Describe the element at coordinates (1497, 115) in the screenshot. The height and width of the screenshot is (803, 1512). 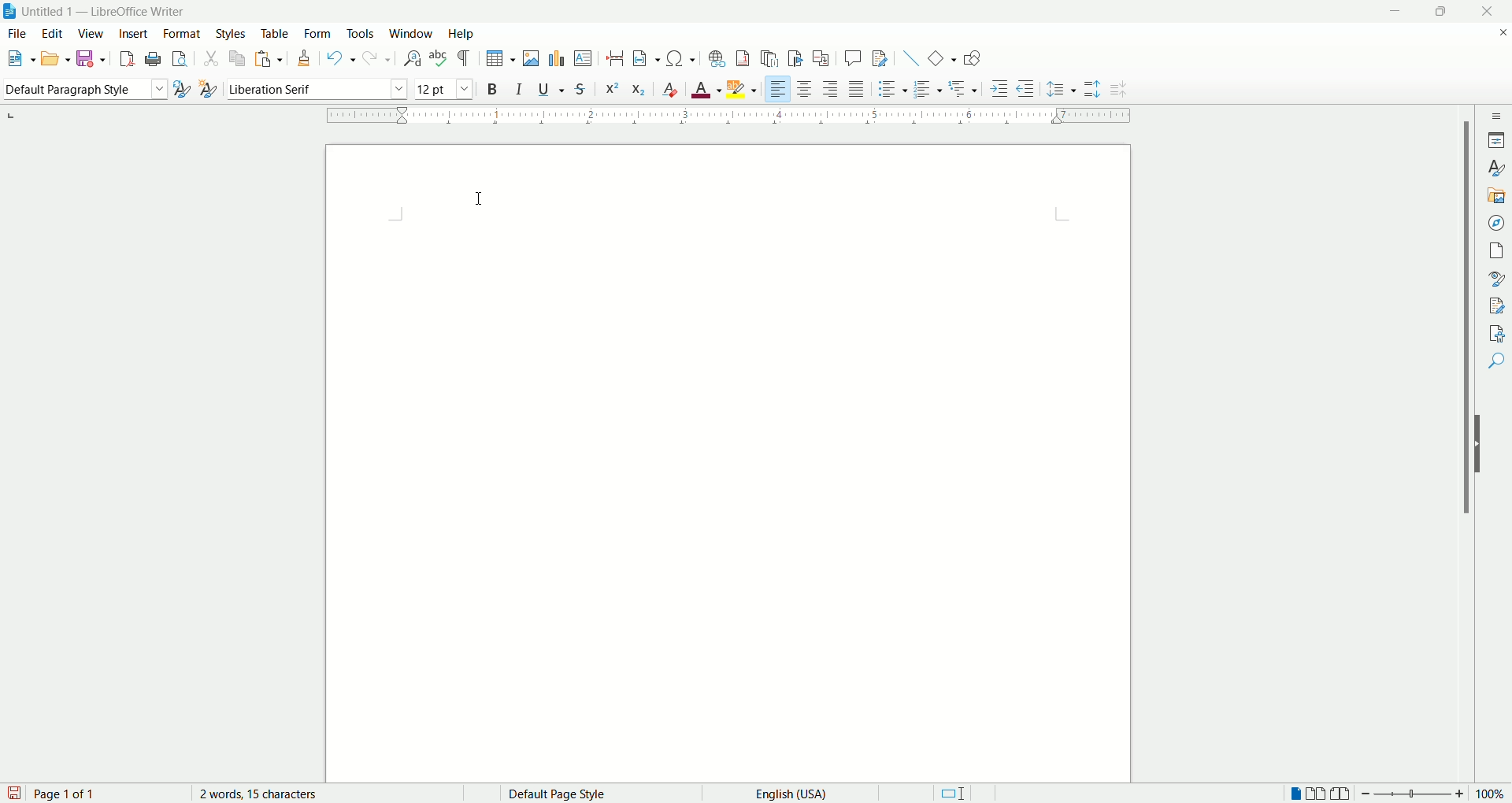
I see `sidebar settings` at that location.